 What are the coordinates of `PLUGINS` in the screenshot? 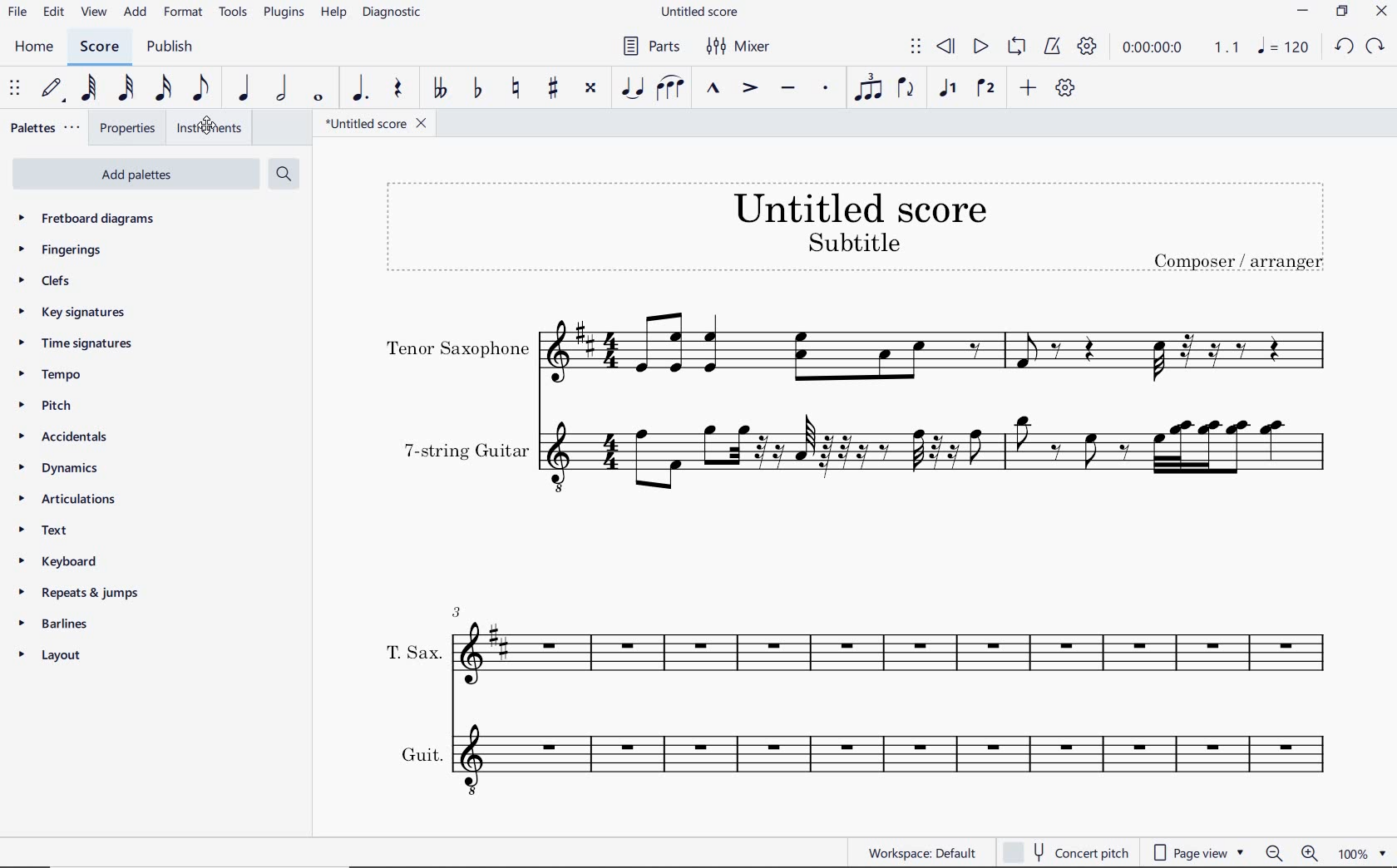 It's located at (284, 13).